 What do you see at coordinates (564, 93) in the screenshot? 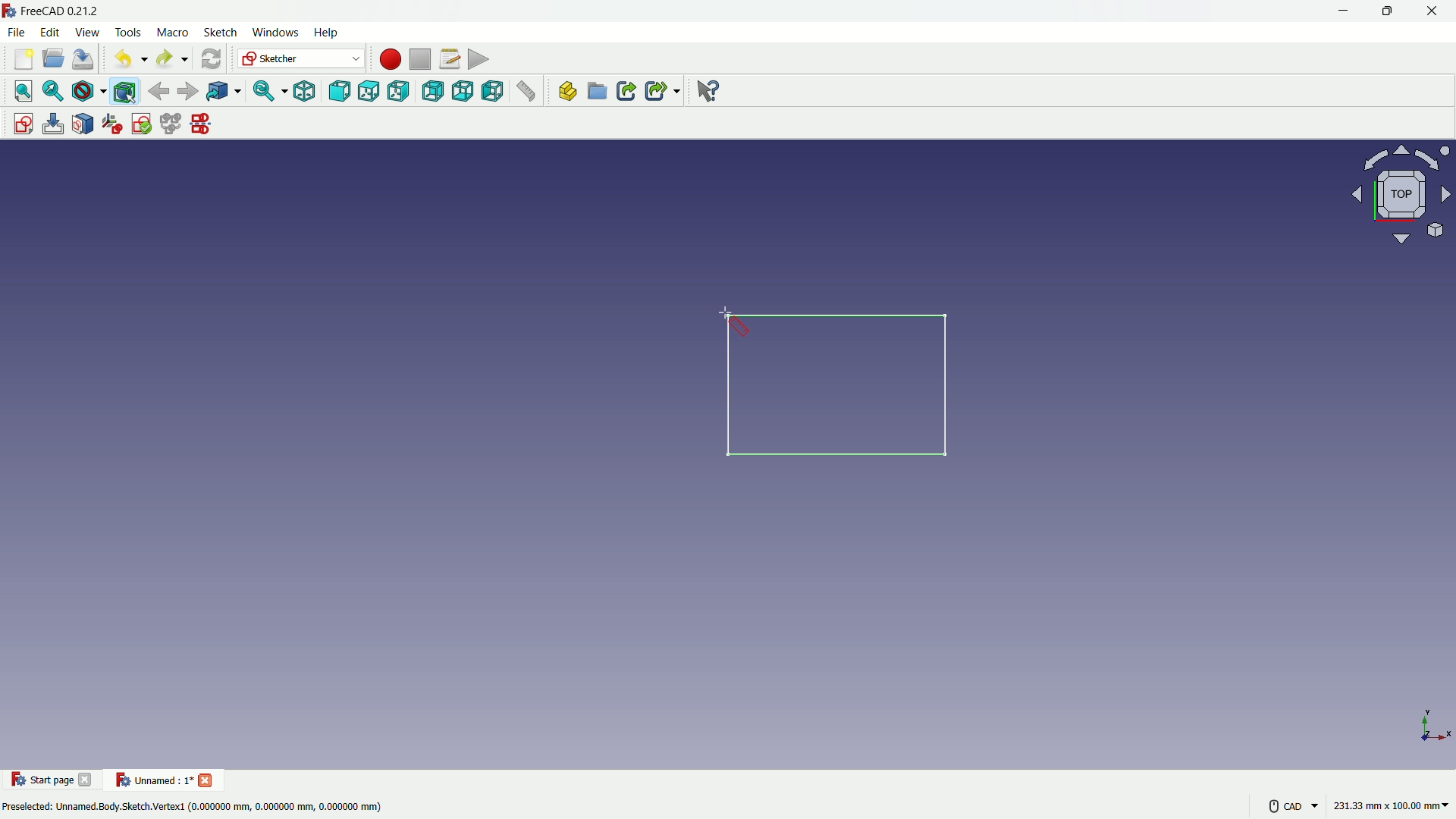
I see `create part` at bounding box center [564, 93].